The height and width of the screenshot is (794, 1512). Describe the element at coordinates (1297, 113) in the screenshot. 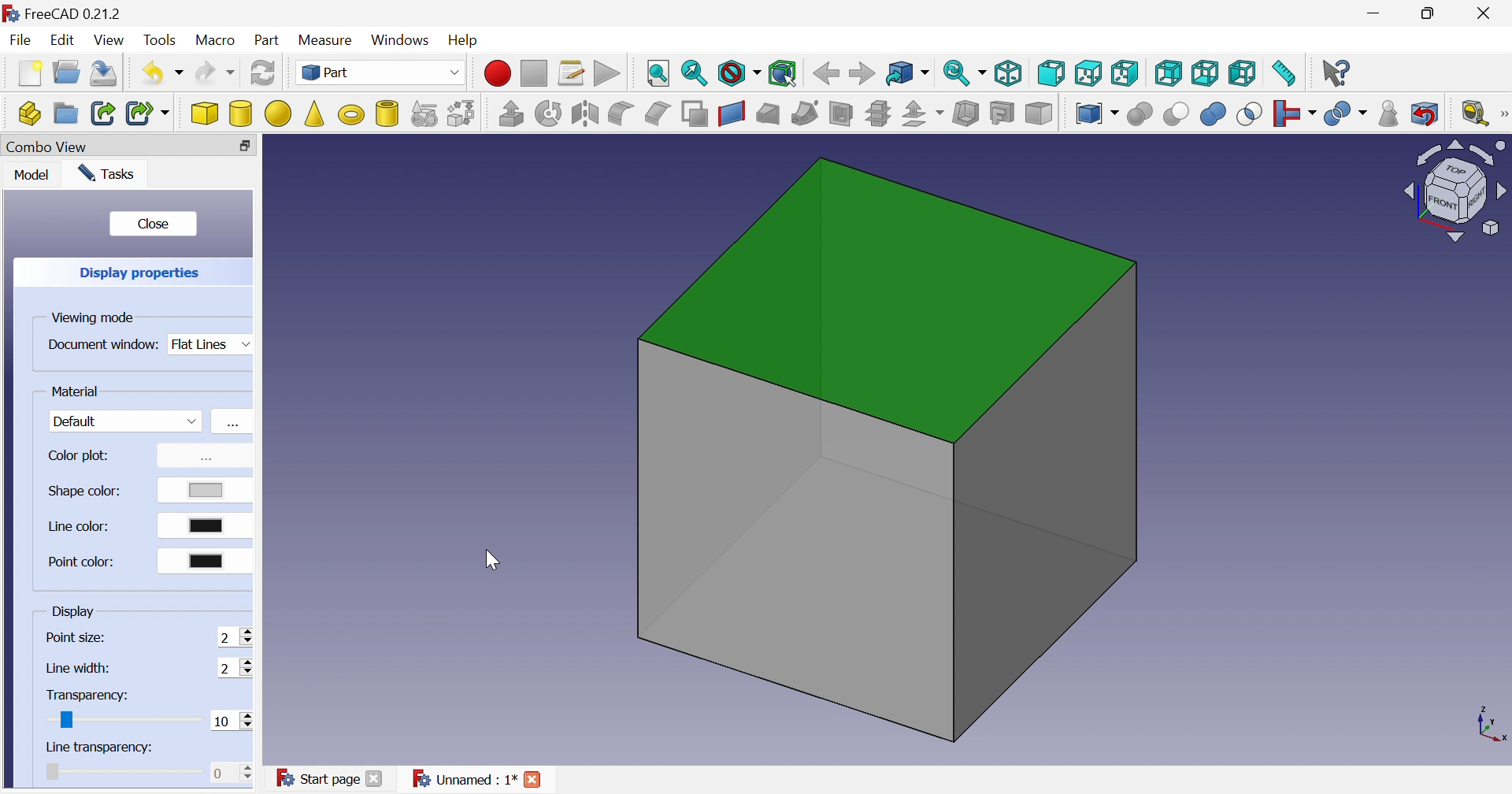

I see `Join objects` at that location.